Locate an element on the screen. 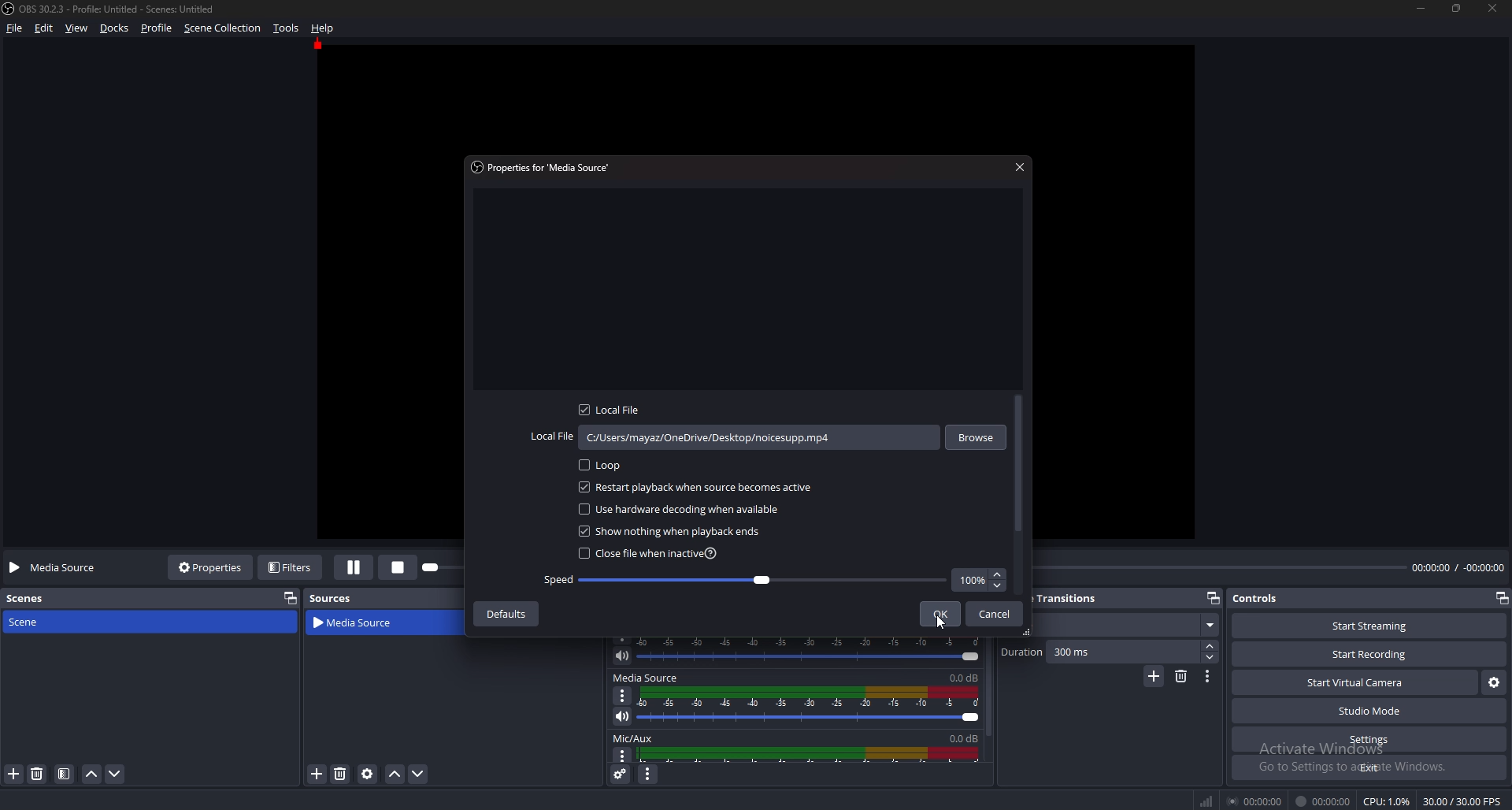 This screenshot has width=1512, height=810. close is located at coordinates (1494, 8).